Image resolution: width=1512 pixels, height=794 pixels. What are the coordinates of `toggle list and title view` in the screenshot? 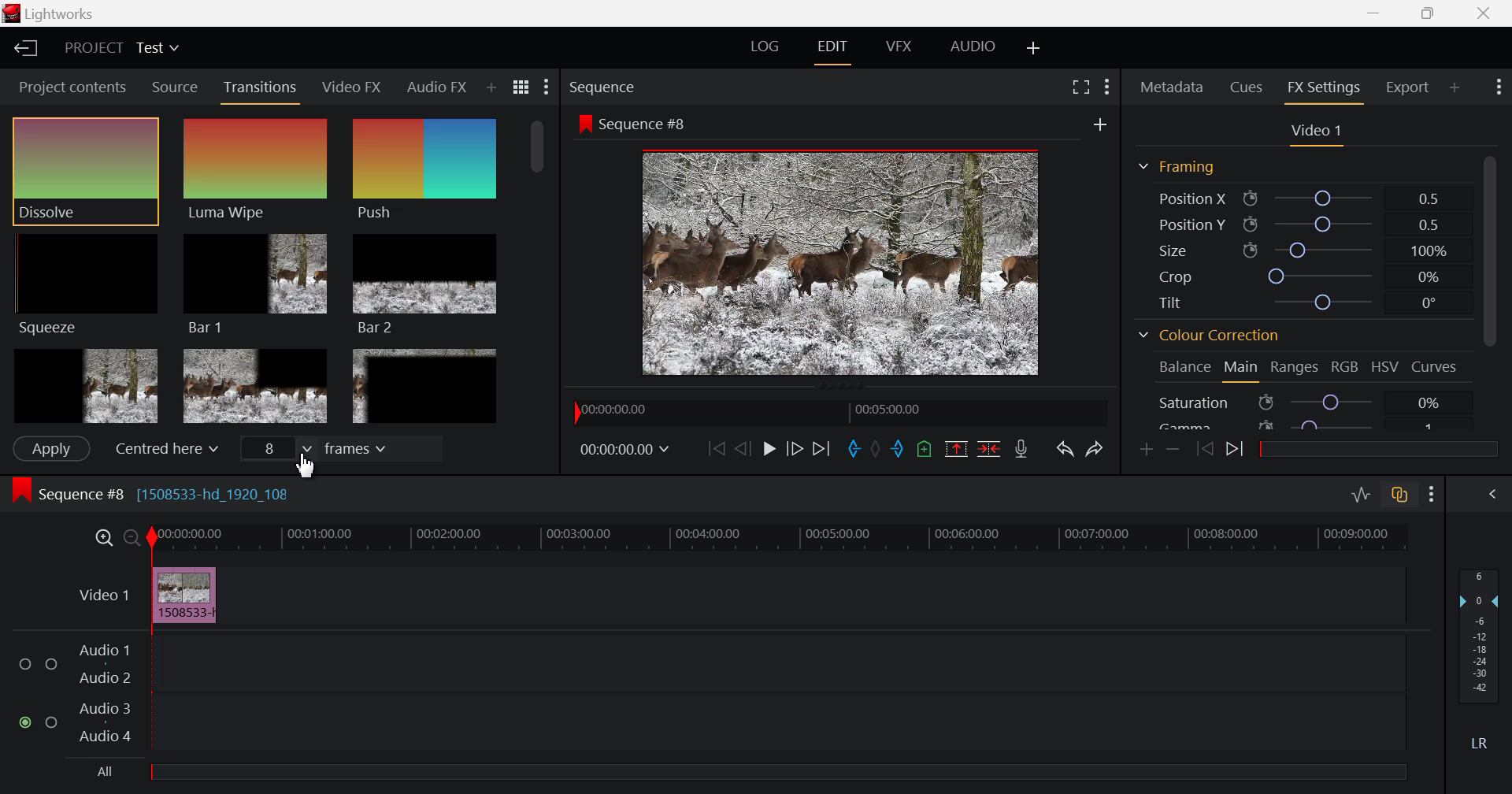 It's located at (520, 87).